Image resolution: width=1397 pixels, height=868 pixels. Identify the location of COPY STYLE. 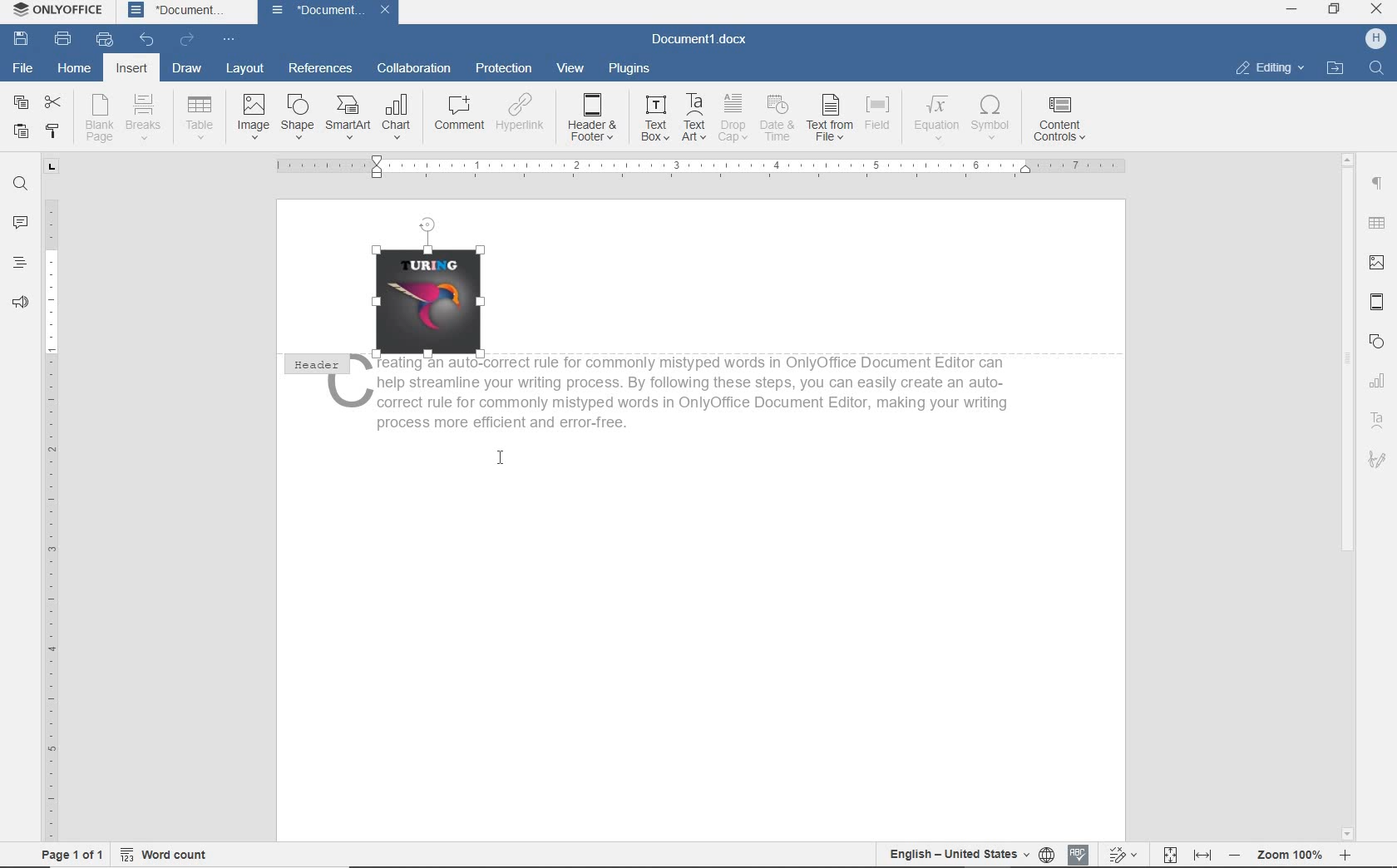
(55, 131).